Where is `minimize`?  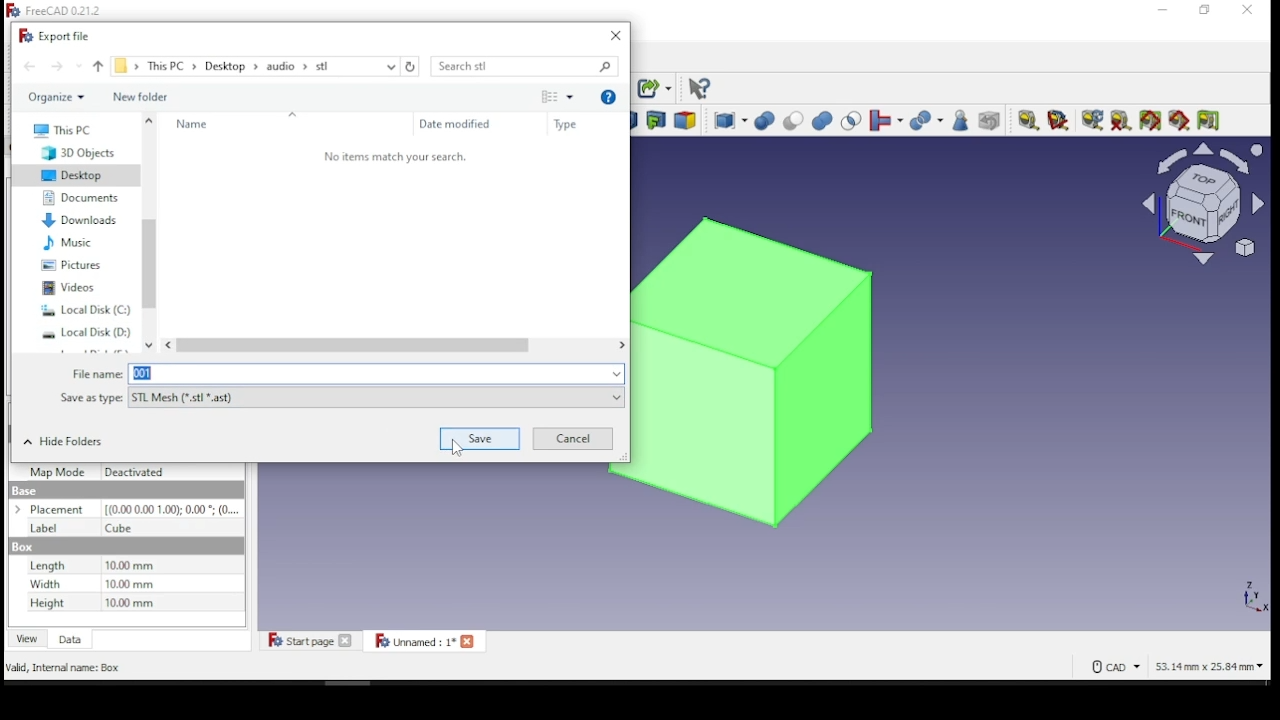
minimize is located at coordinates (1165, 10).